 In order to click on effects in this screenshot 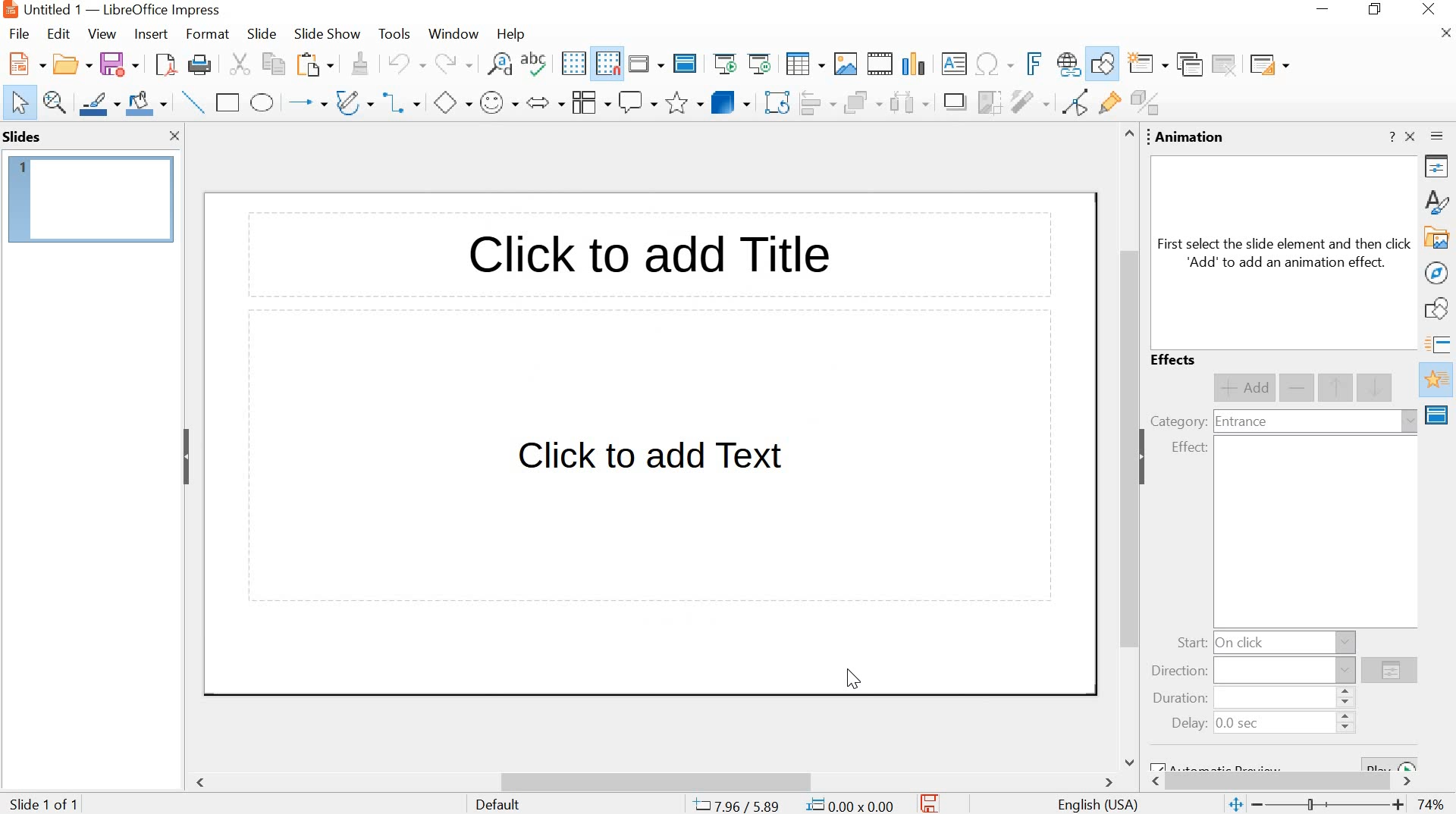, I will do `click(1175, 361)`.